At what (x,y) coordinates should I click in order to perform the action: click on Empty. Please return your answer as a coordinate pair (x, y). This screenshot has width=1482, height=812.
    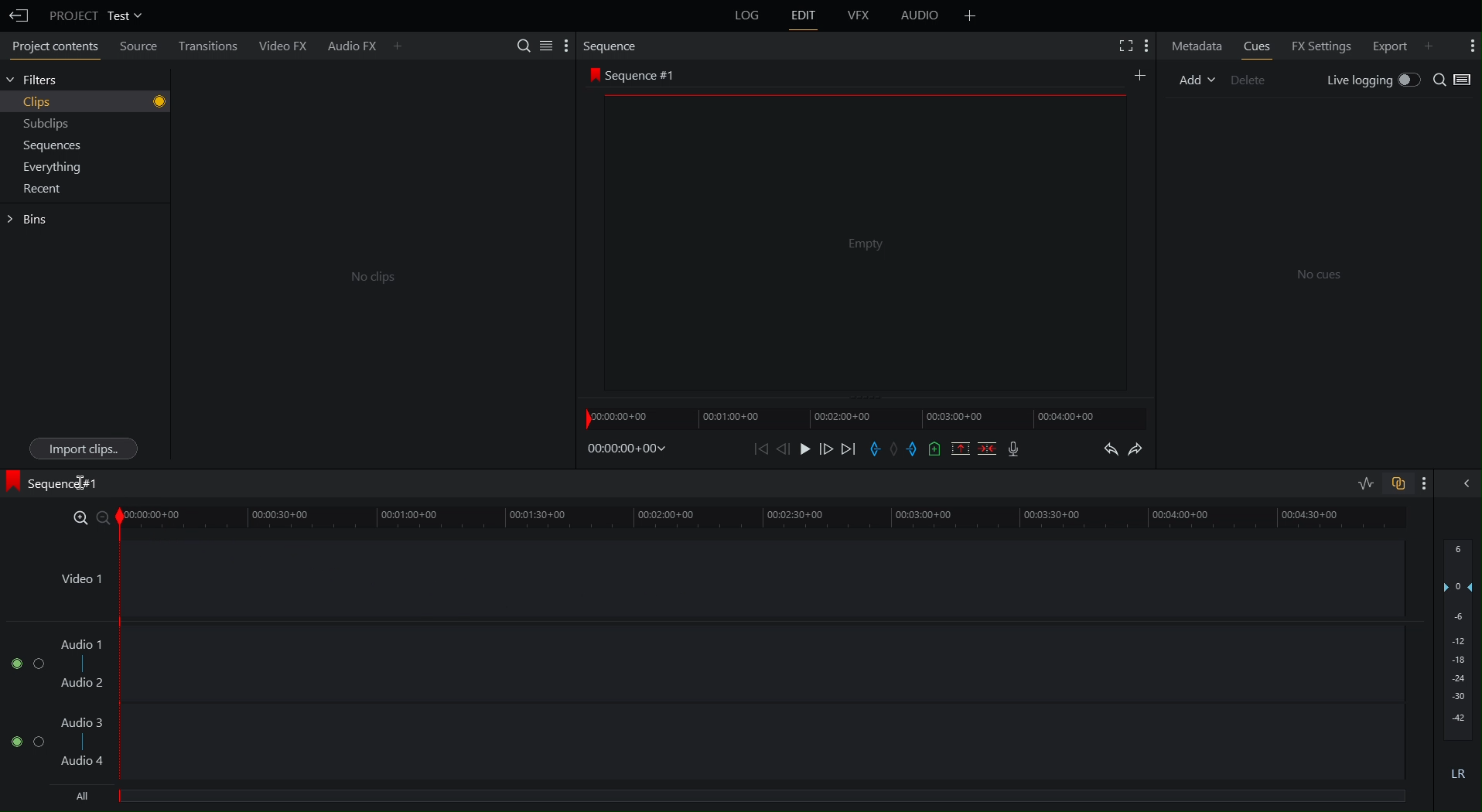
    Looking at the image, I should click on (863, 244).